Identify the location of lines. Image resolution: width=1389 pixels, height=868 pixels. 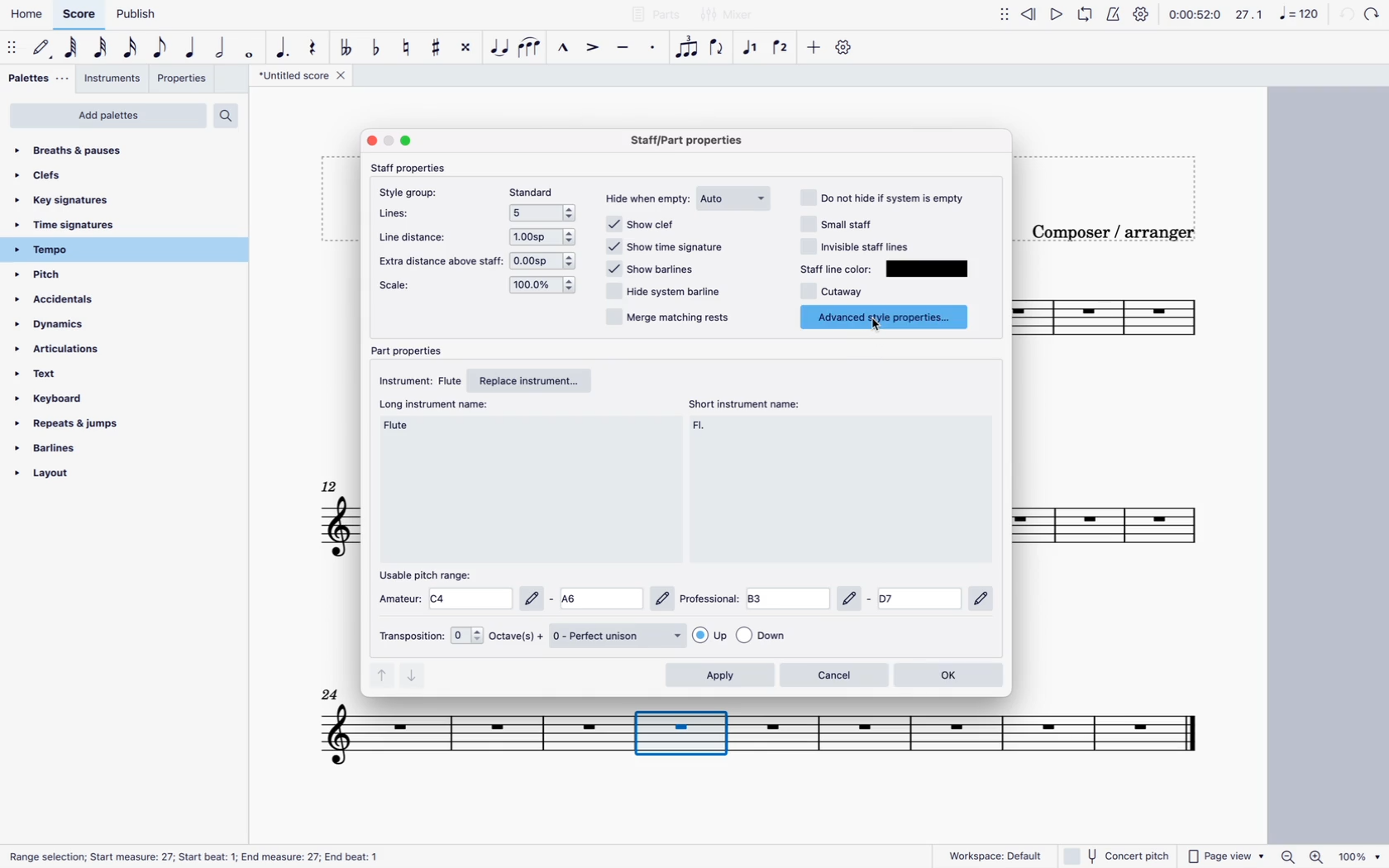
(406, 213).